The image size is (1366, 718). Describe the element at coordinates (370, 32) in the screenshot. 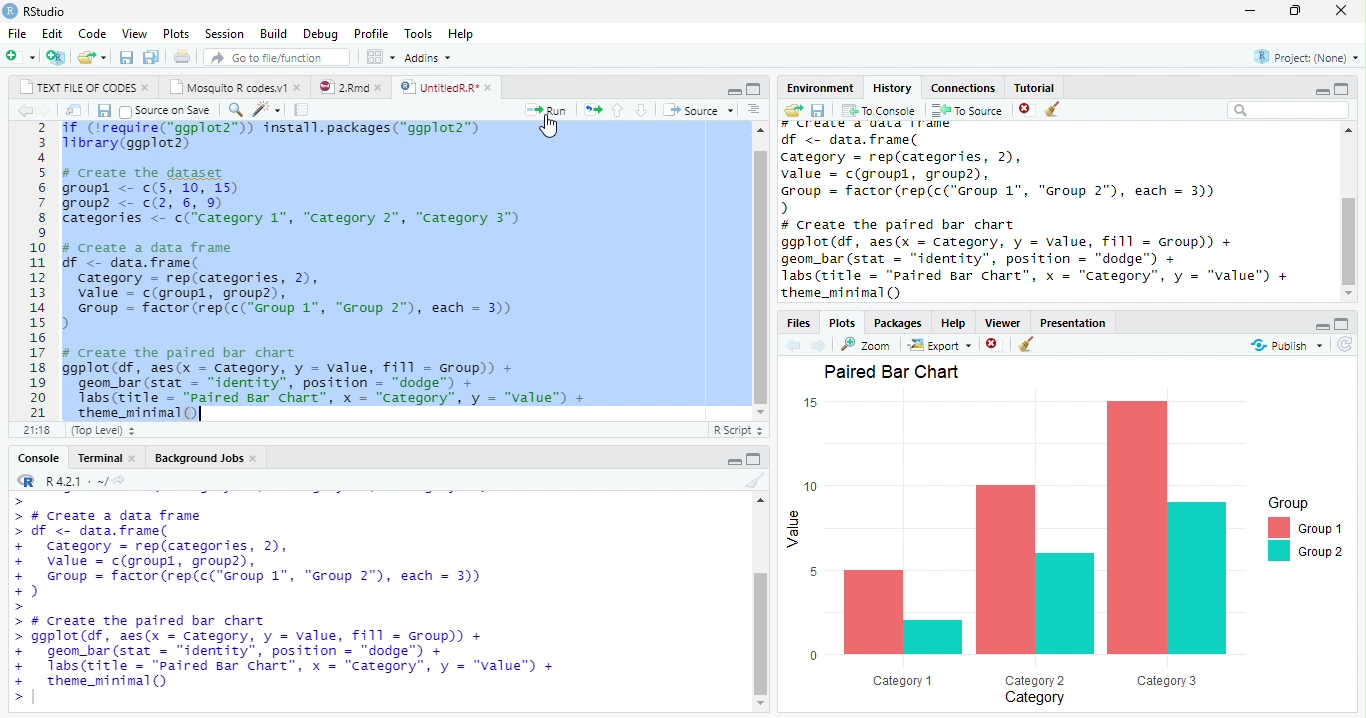

I see `profile` at that location.